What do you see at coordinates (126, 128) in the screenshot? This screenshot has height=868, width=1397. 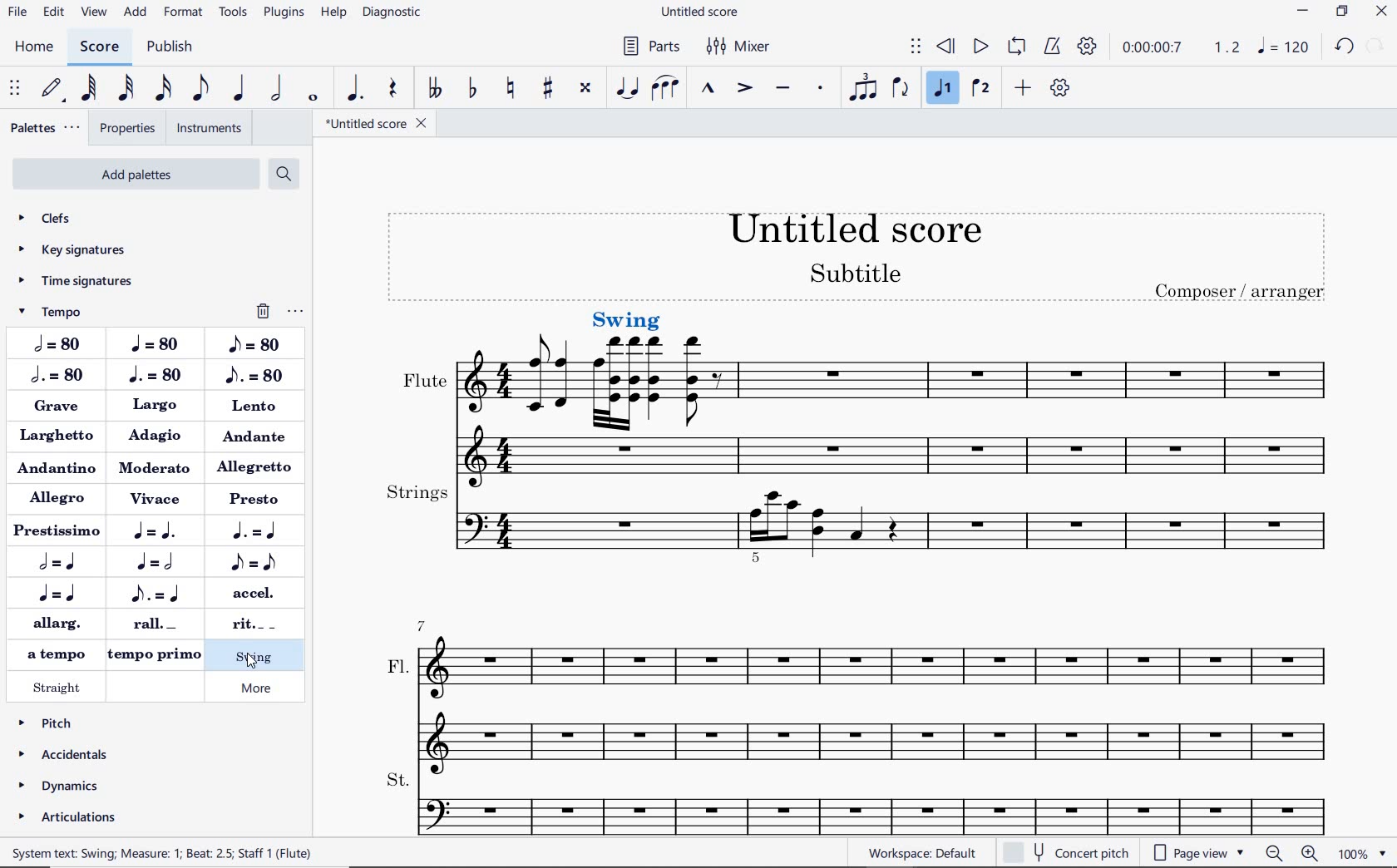 I see `properties` at bounding box center [126, 128].